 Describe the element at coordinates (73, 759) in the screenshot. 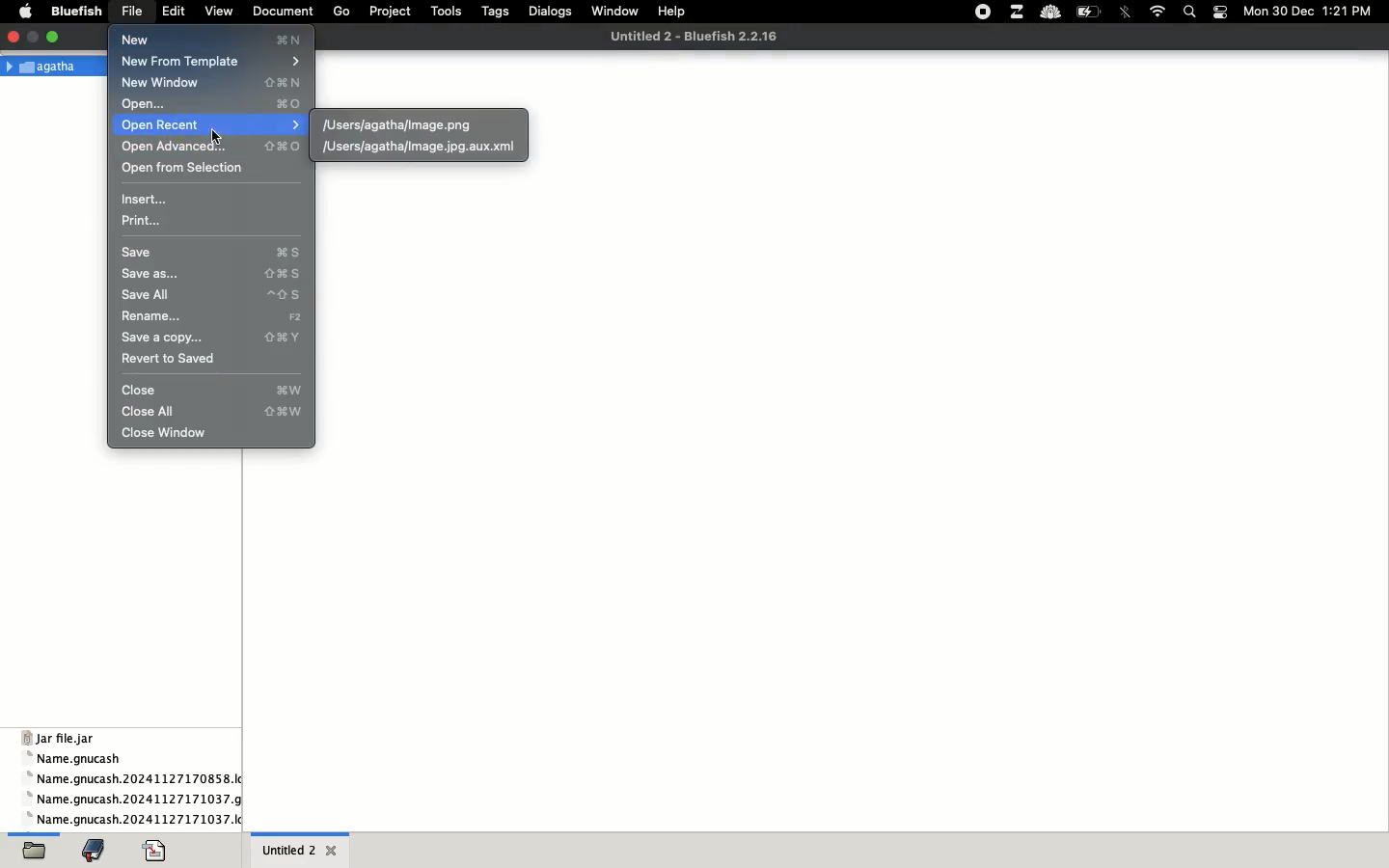

I see `name gnucash` at that location.